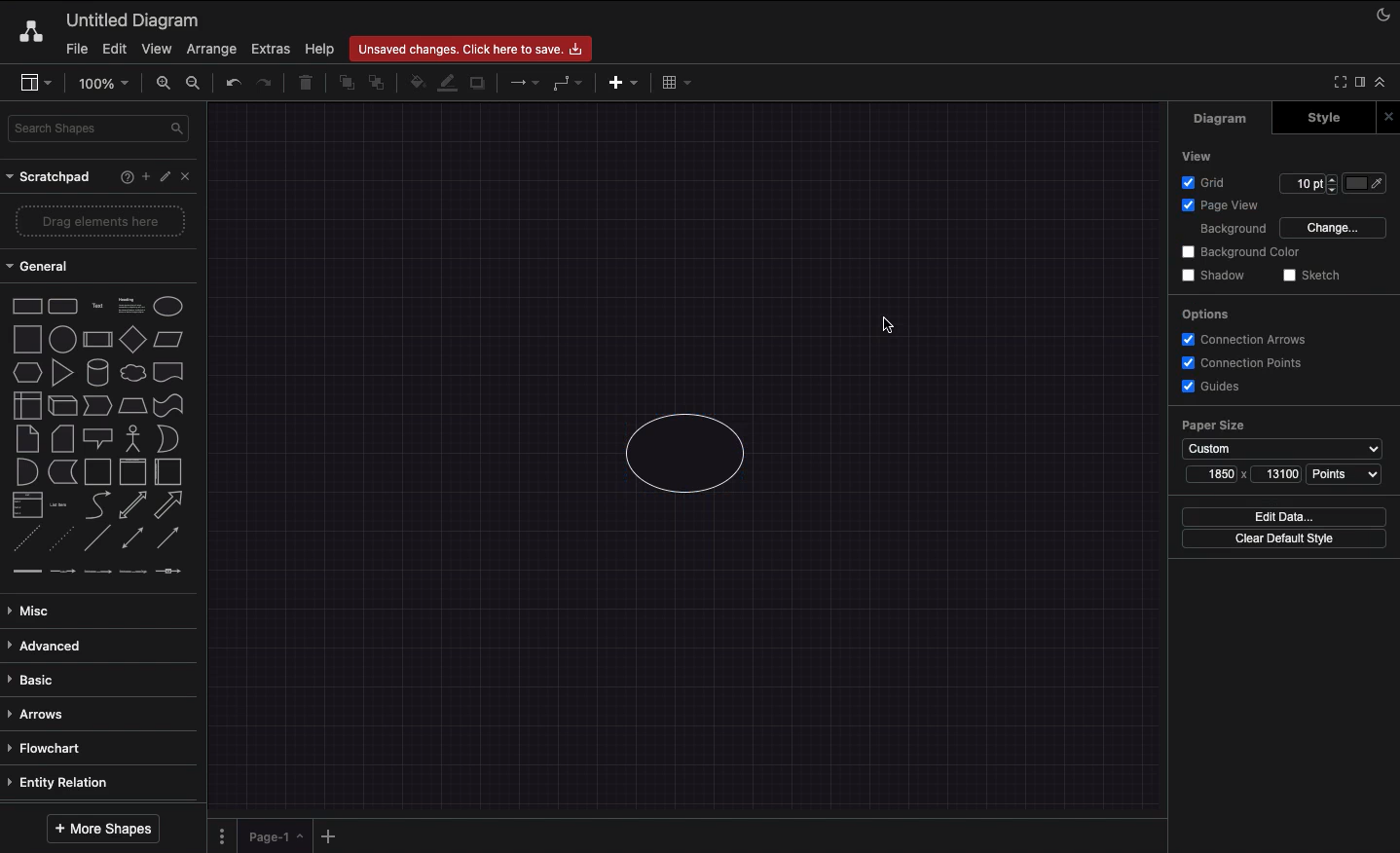 Image resolution: width=1400 pixels, height=853 pixels. I want to click on 1850, so click(1220, 473).